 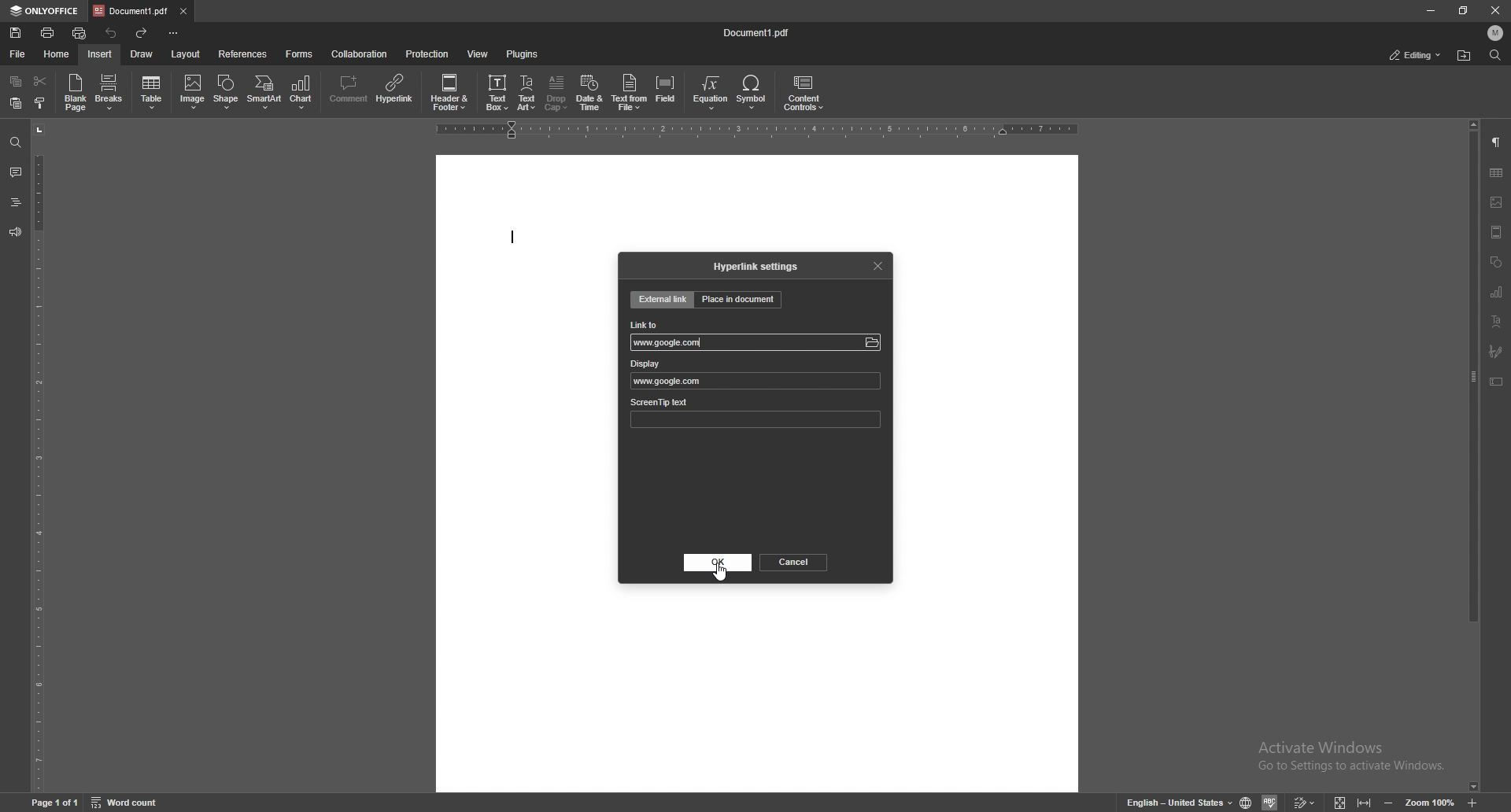 I want to click on ok, so click(x=719, y=563).